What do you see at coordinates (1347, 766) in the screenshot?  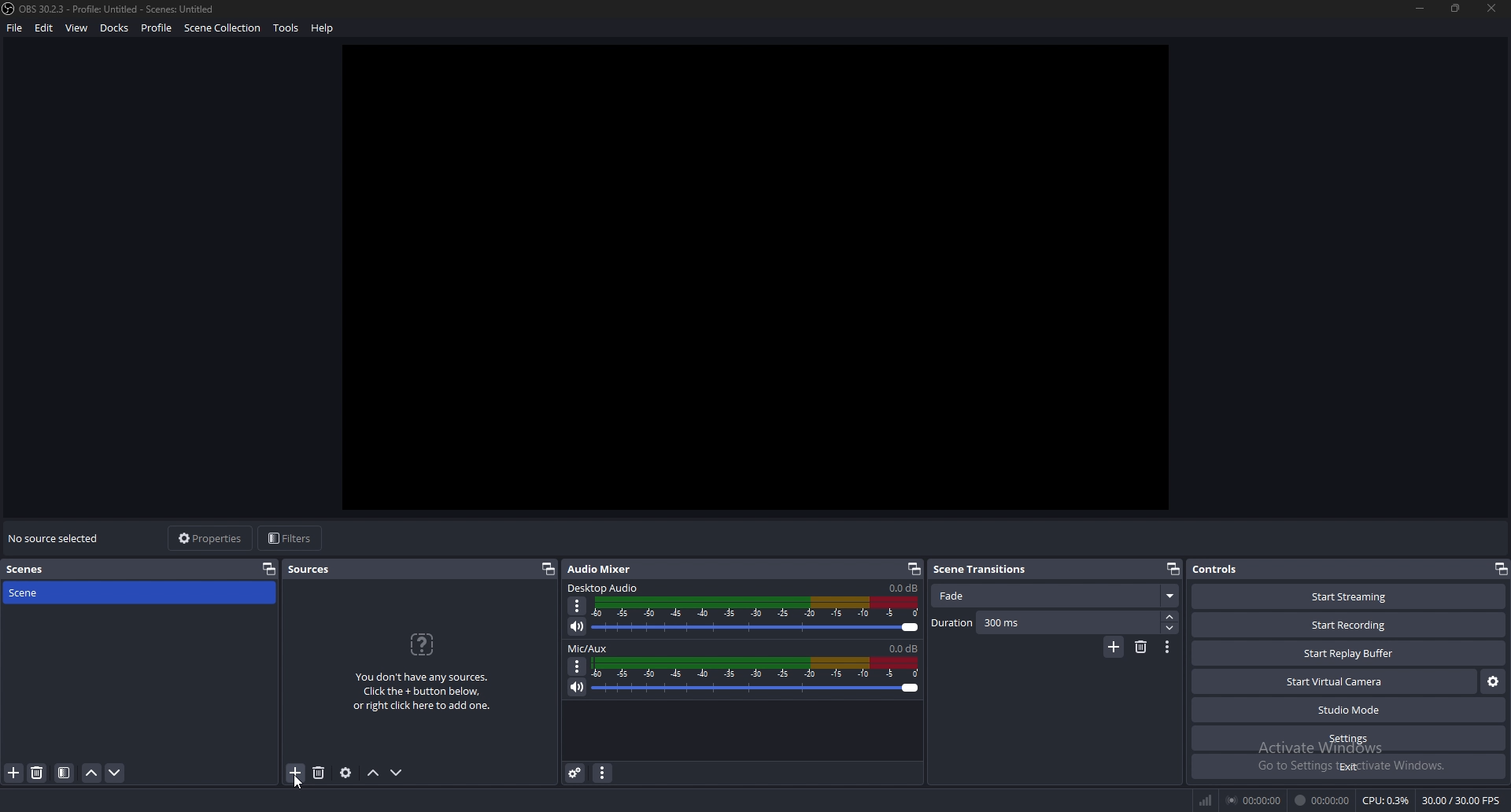 I see `exit` at bounding box center [1347, 766].